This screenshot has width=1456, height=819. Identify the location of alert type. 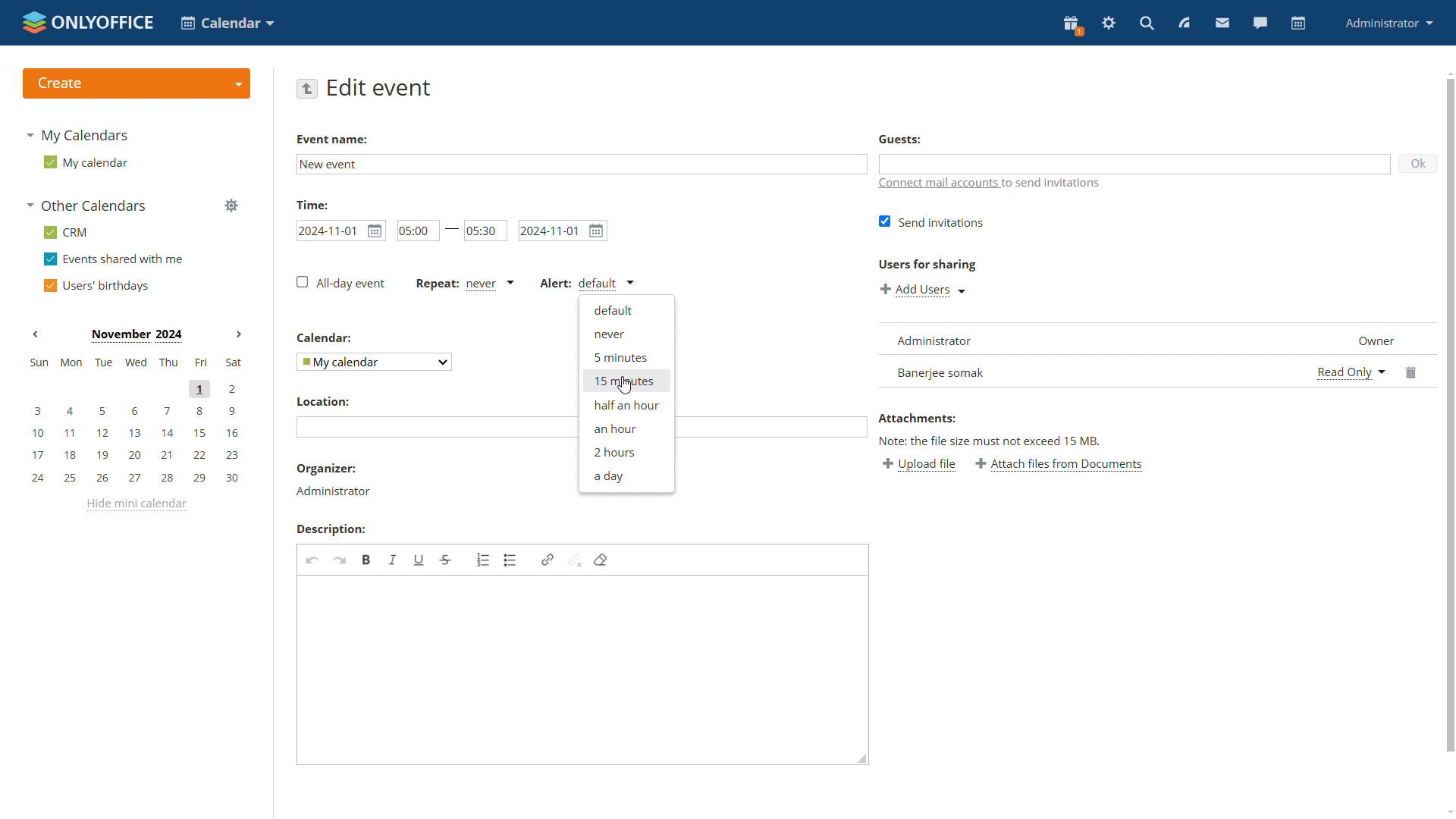
(589, 284).